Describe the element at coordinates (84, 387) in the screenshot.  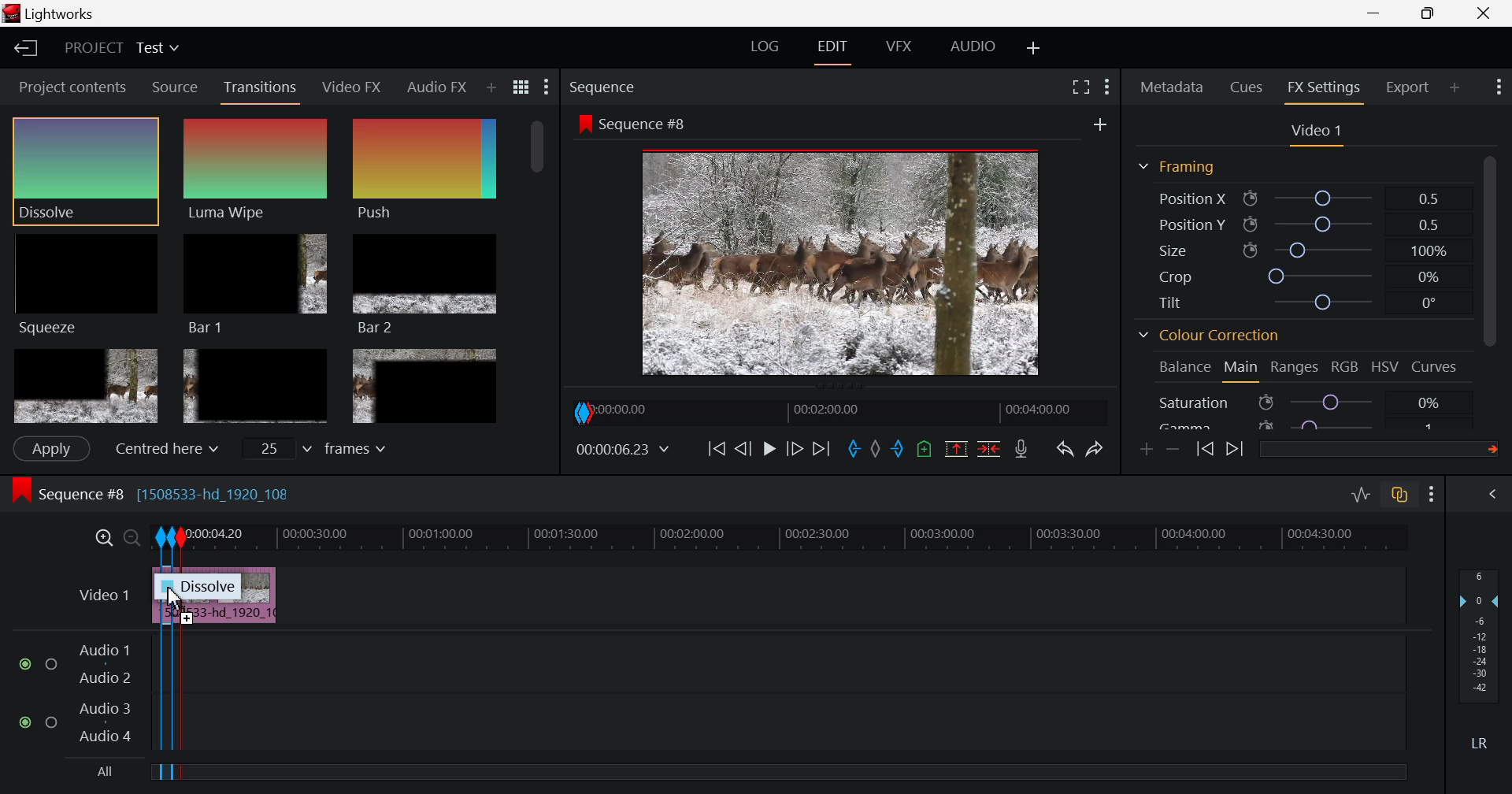
I see `Box 4` at that location.